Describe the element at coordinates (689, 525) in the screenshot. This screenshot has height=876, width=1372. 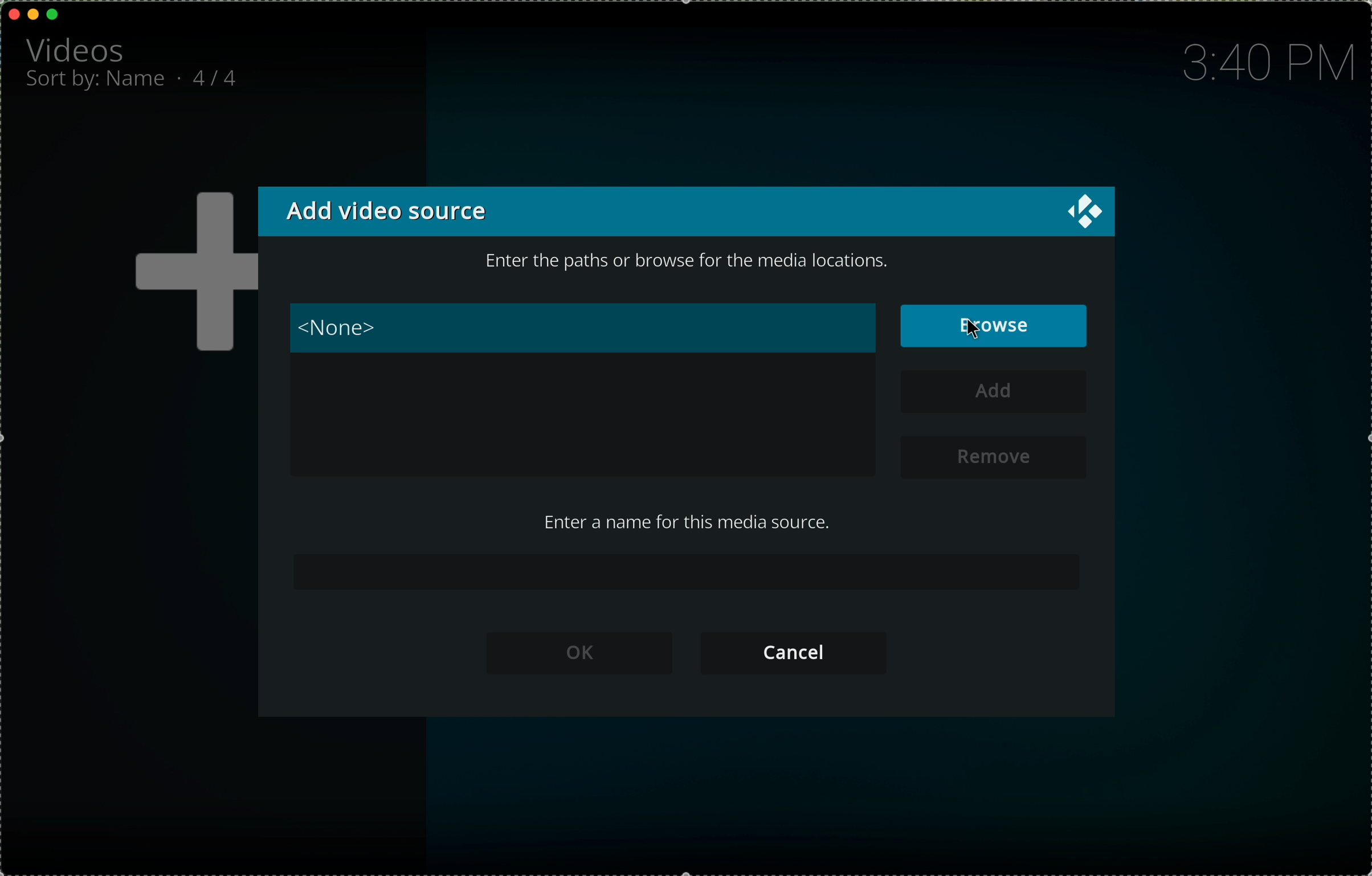
I see `name for the media source` at that location.